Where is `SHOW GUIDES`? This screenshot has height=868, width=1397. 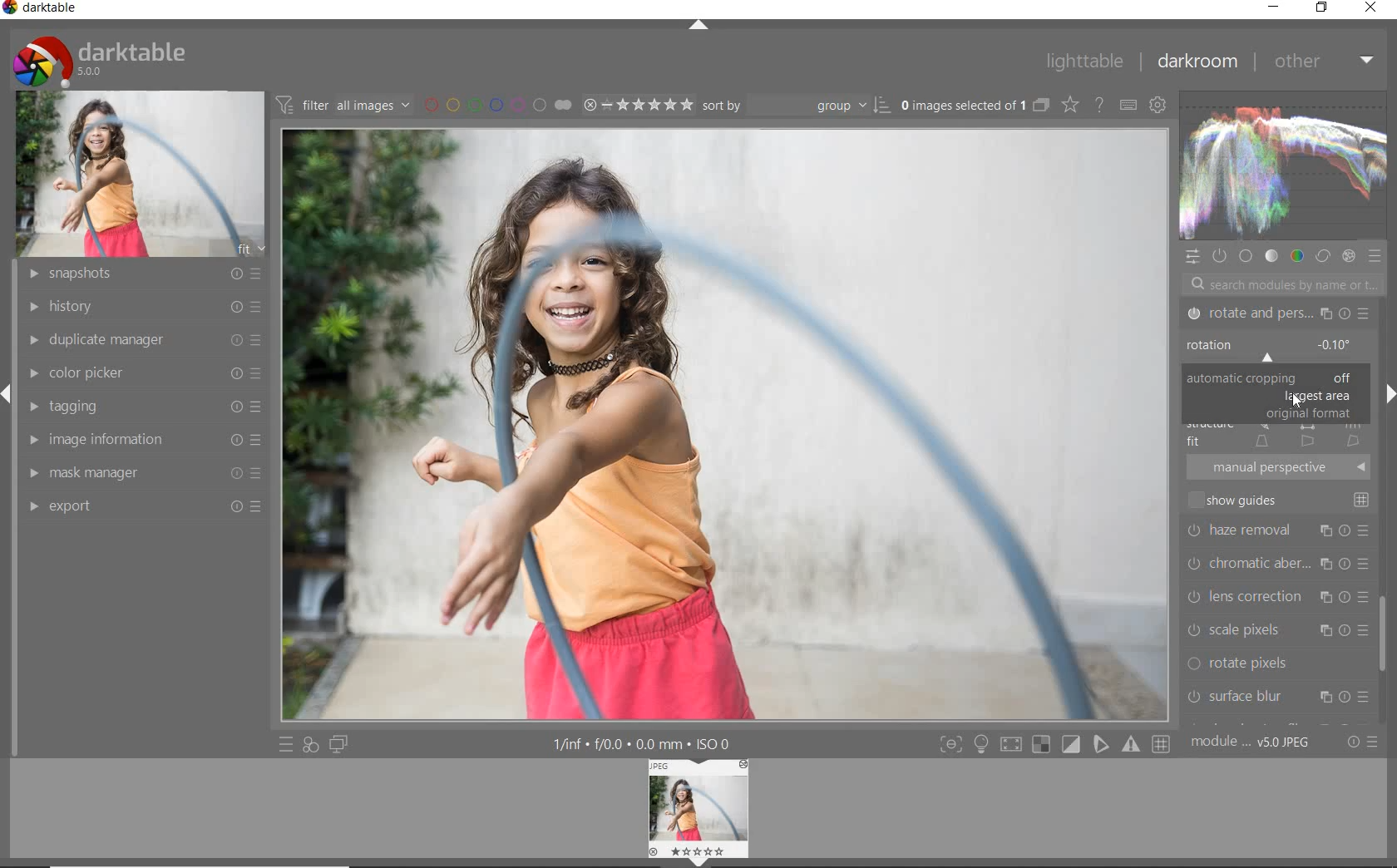
SHOW GUIDES is located at coordinates (1282, 500).